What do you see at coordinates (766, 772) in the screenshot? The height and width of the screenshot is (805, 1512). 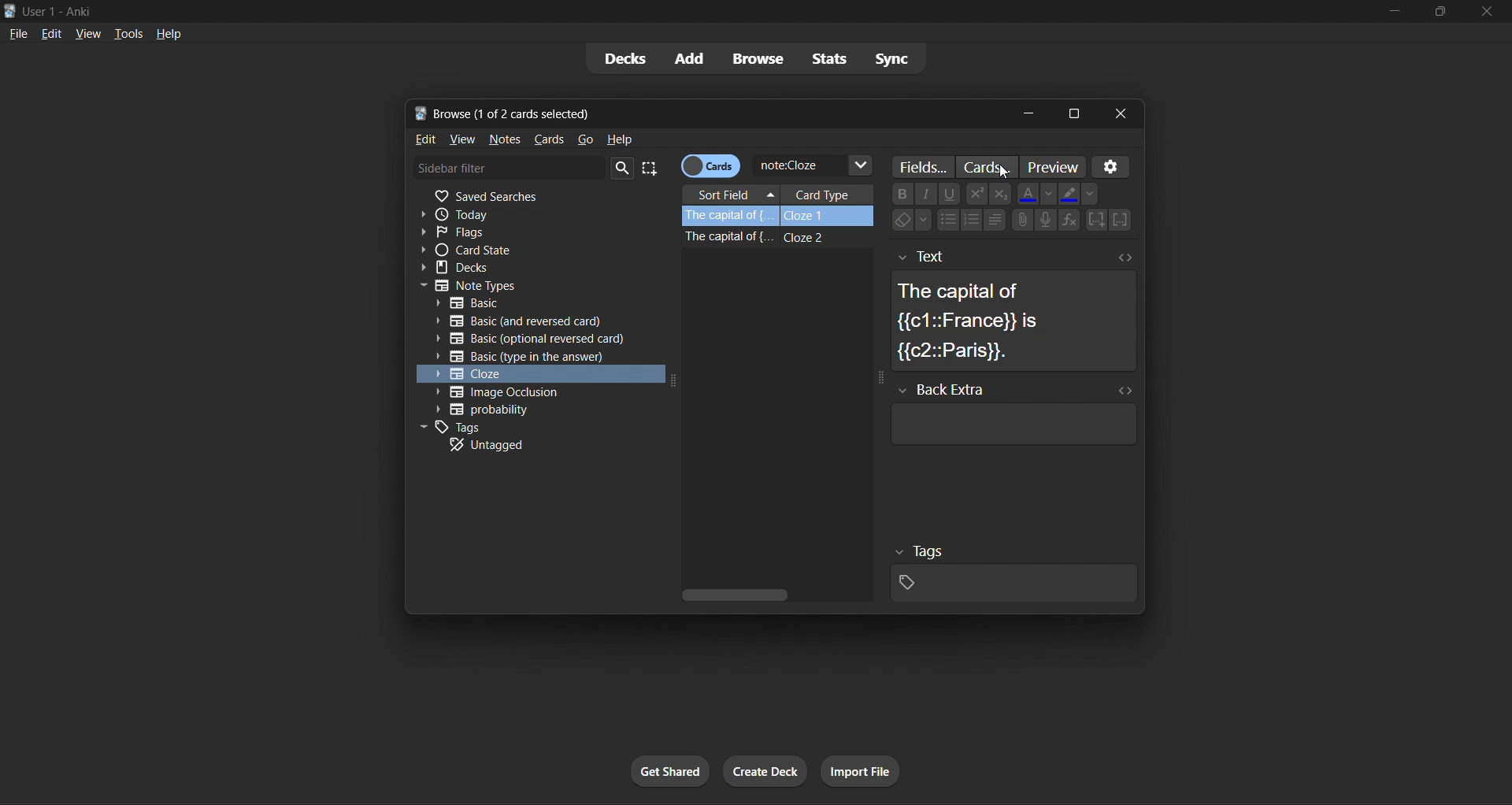 I see `create deck` at bounding box center [766, 772].